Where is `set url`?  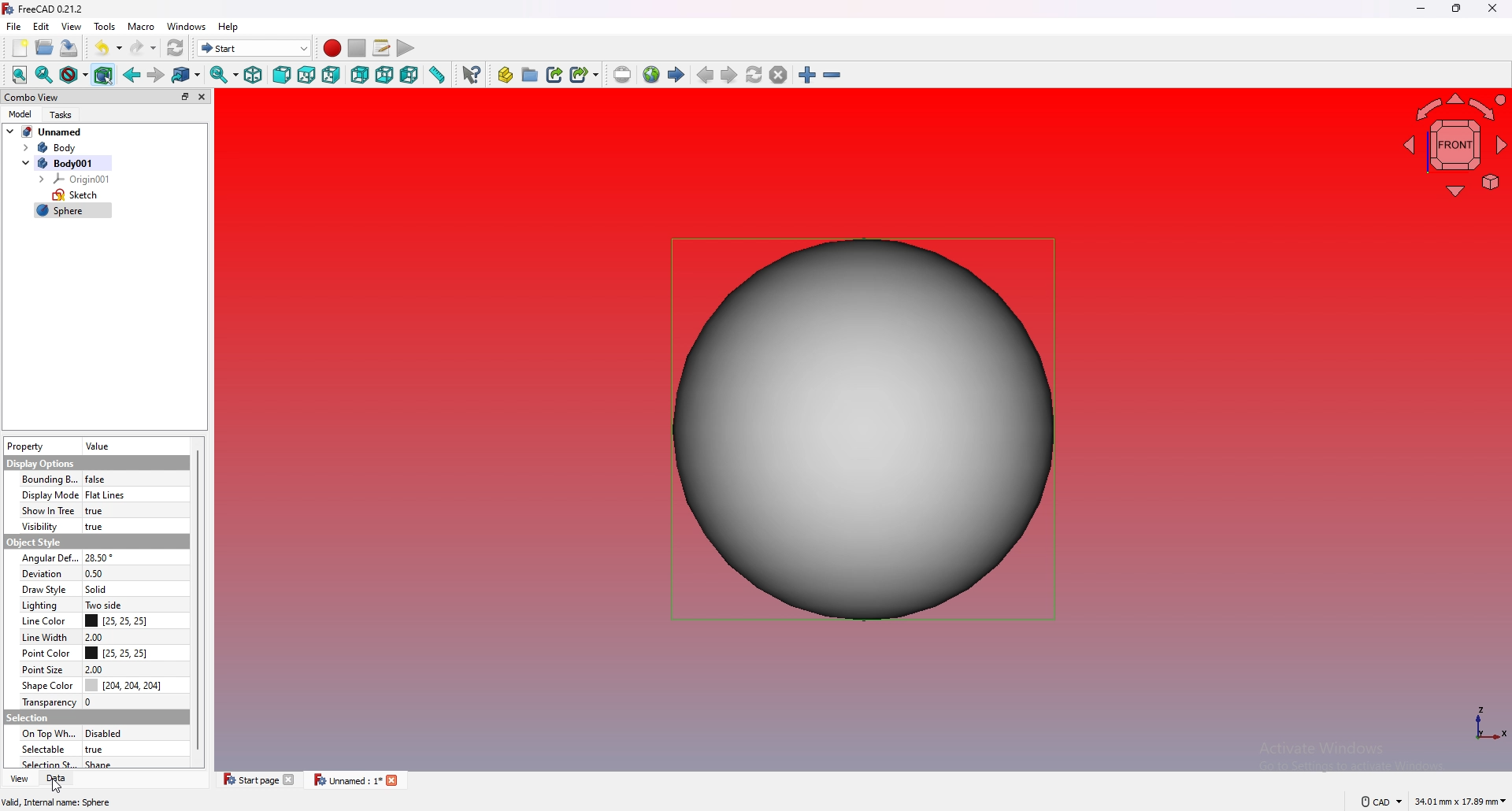 set url is located at coordinates (622, 75).